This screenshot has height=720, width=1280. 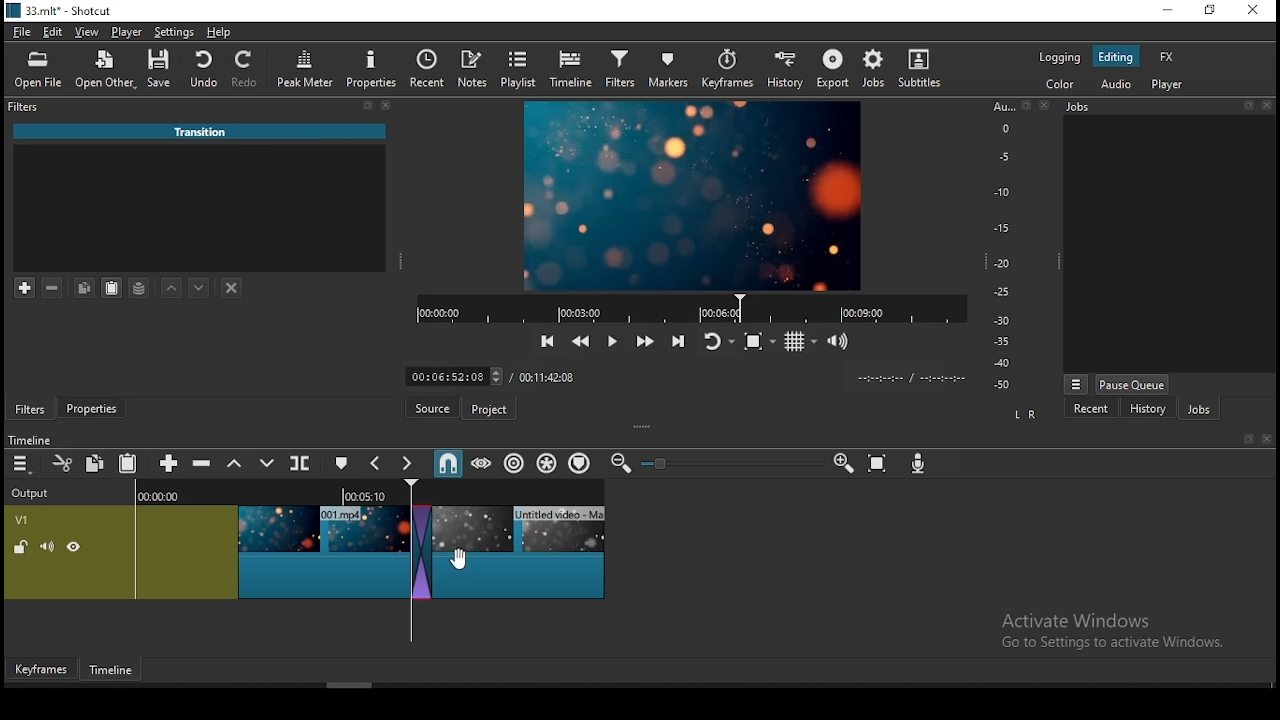 What do you see at coordinates (236, 463) in the screenshot?
I see `lift` at bounding box center [236, 463].